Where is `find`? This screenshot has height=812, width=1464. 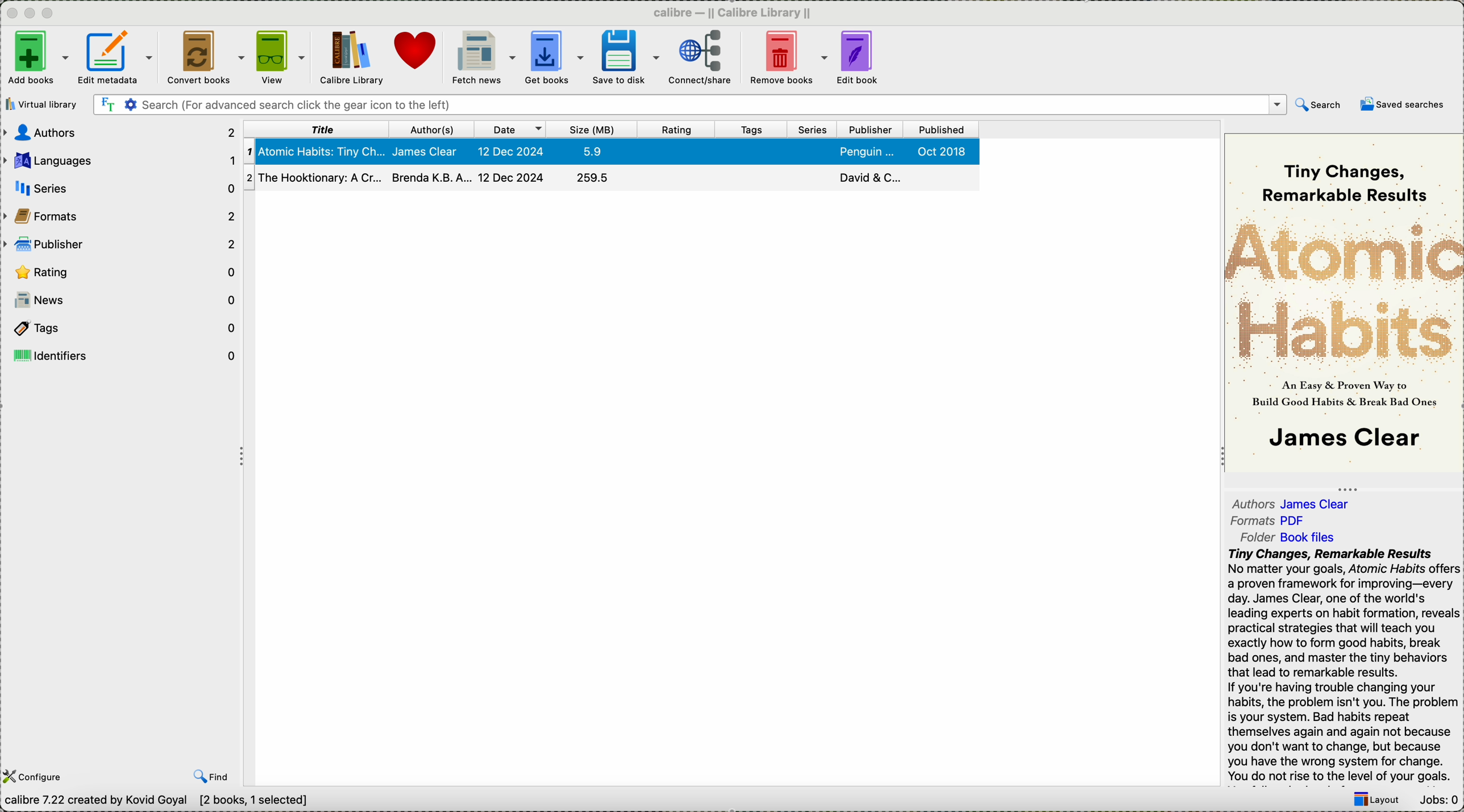
find is located at coordinates (210, 777).